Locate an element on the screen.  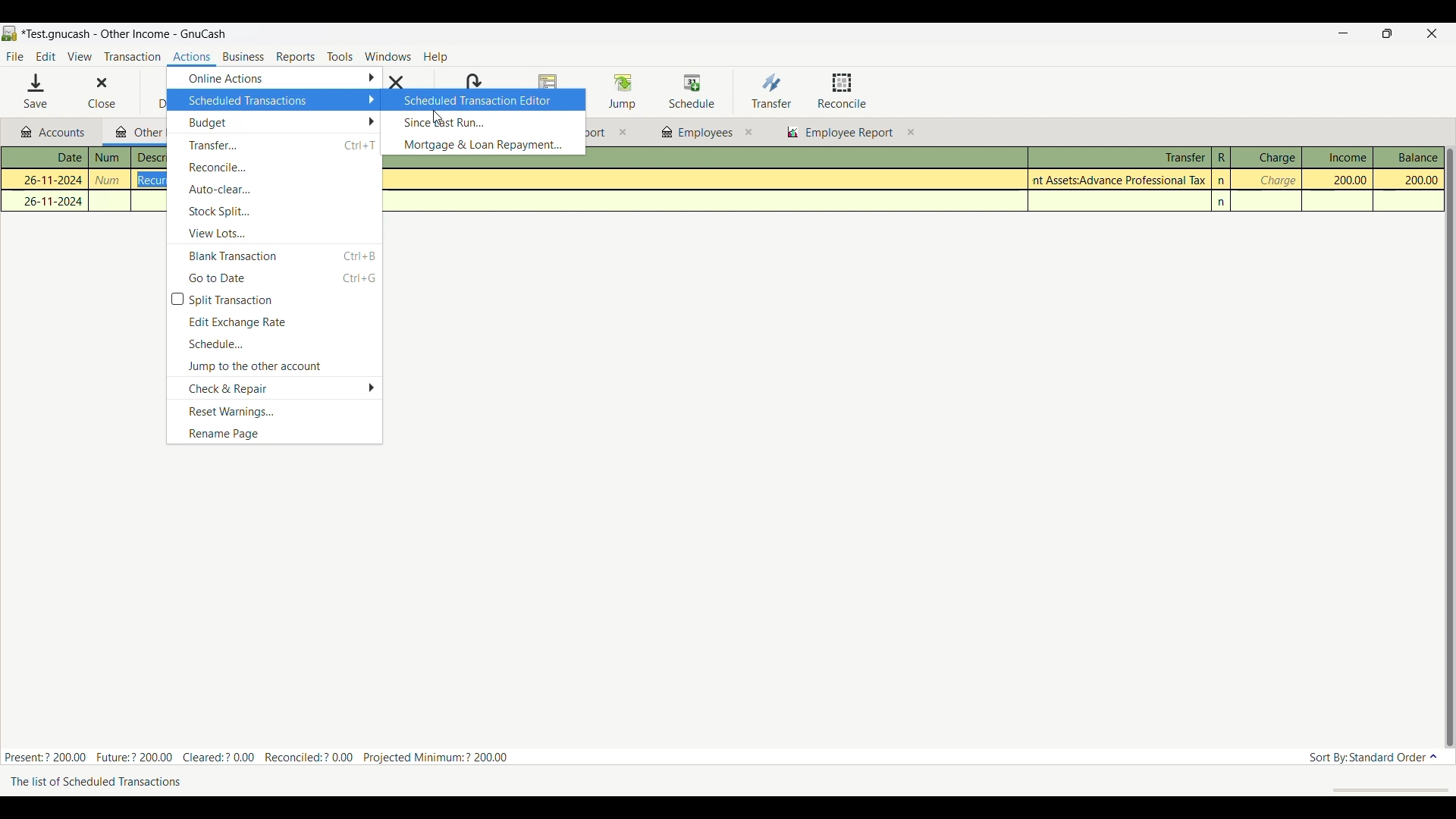
Show interface in a smaller tab is located at coordinates (1390, 35).